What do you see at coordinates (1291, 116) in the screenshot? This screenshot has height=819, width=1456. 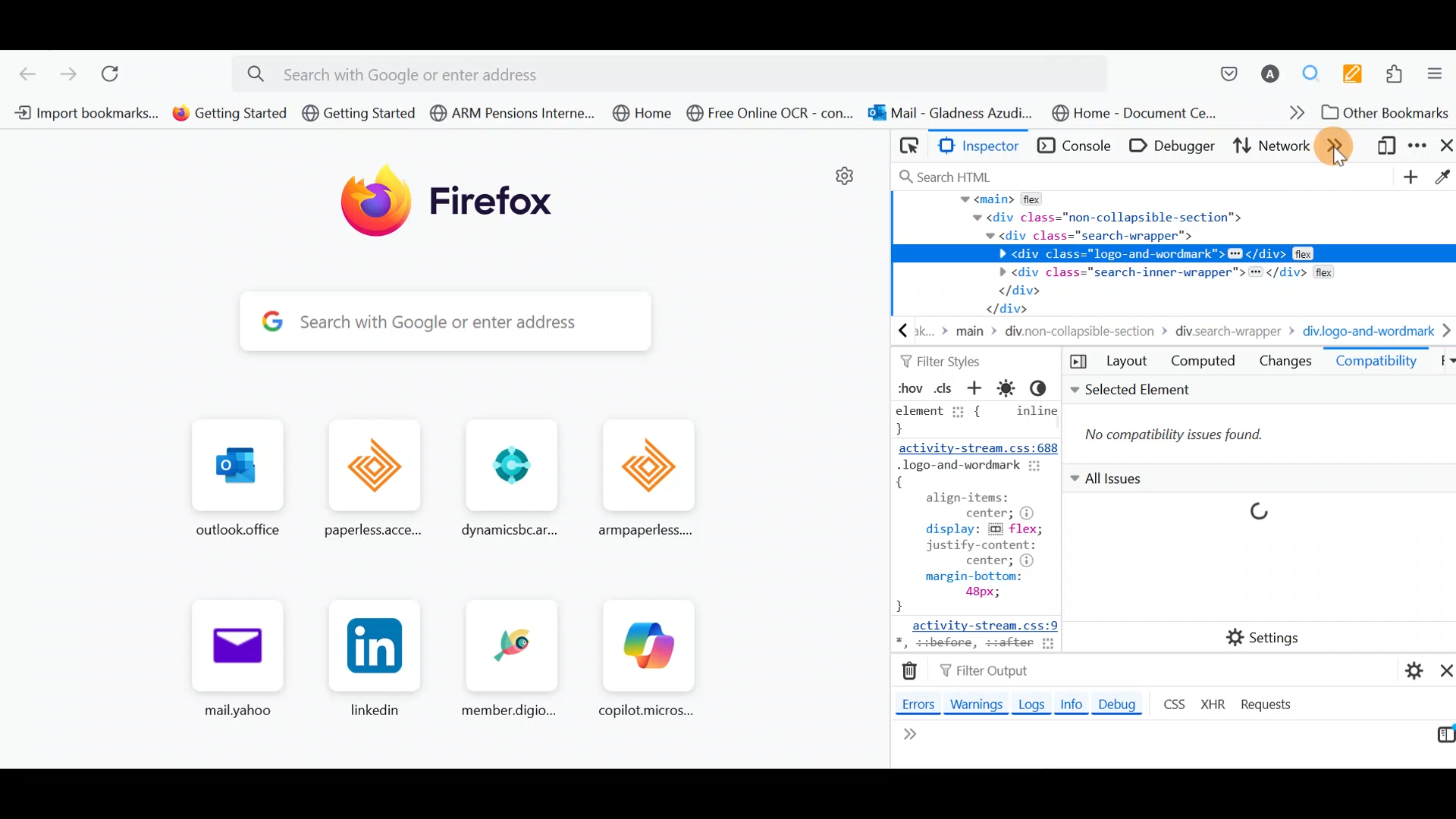 I see `Show more bookmarks` at bounding box center [1291, 116].